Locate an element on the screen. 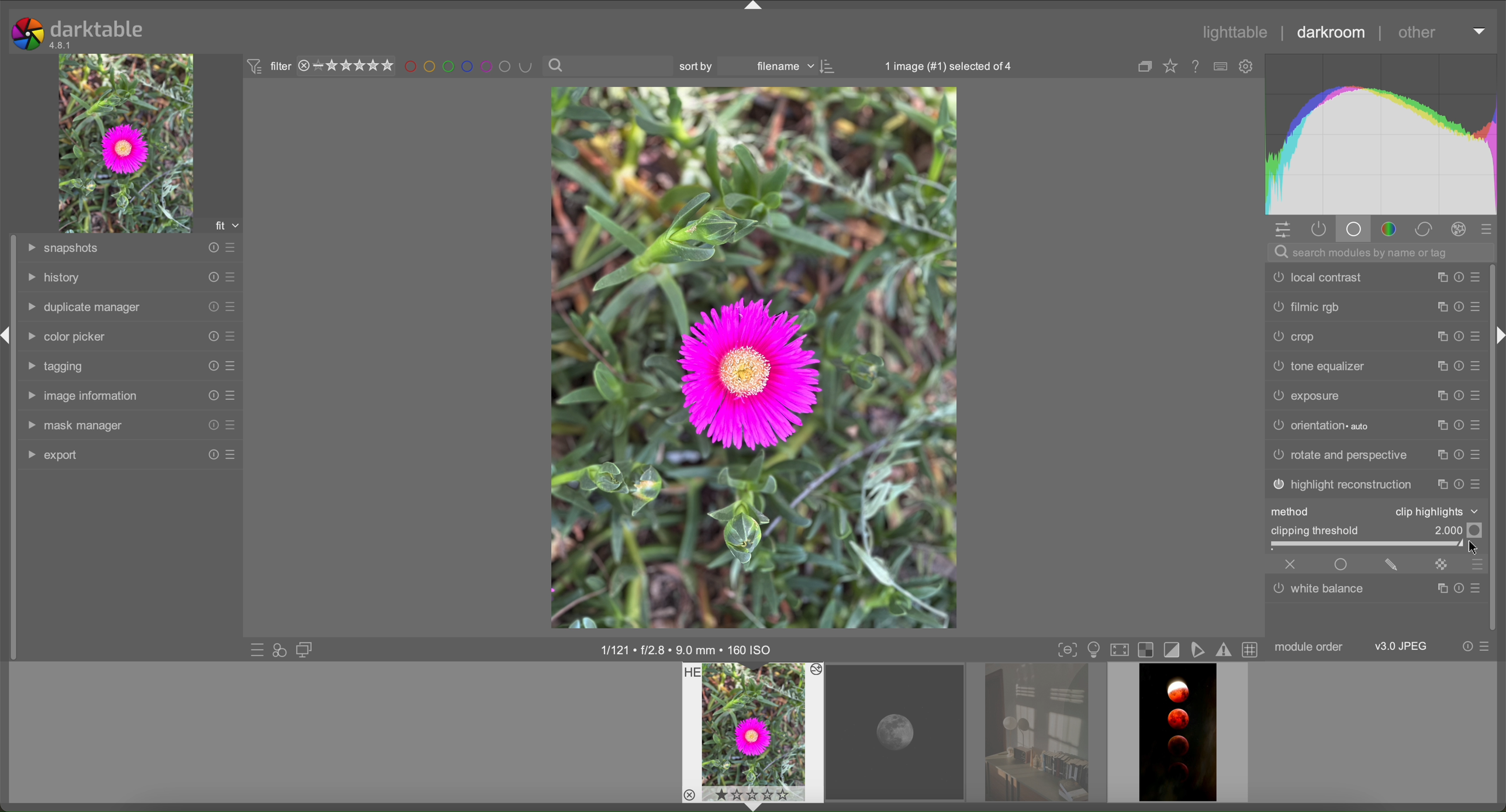  presets is located at coordinates (230, 455).